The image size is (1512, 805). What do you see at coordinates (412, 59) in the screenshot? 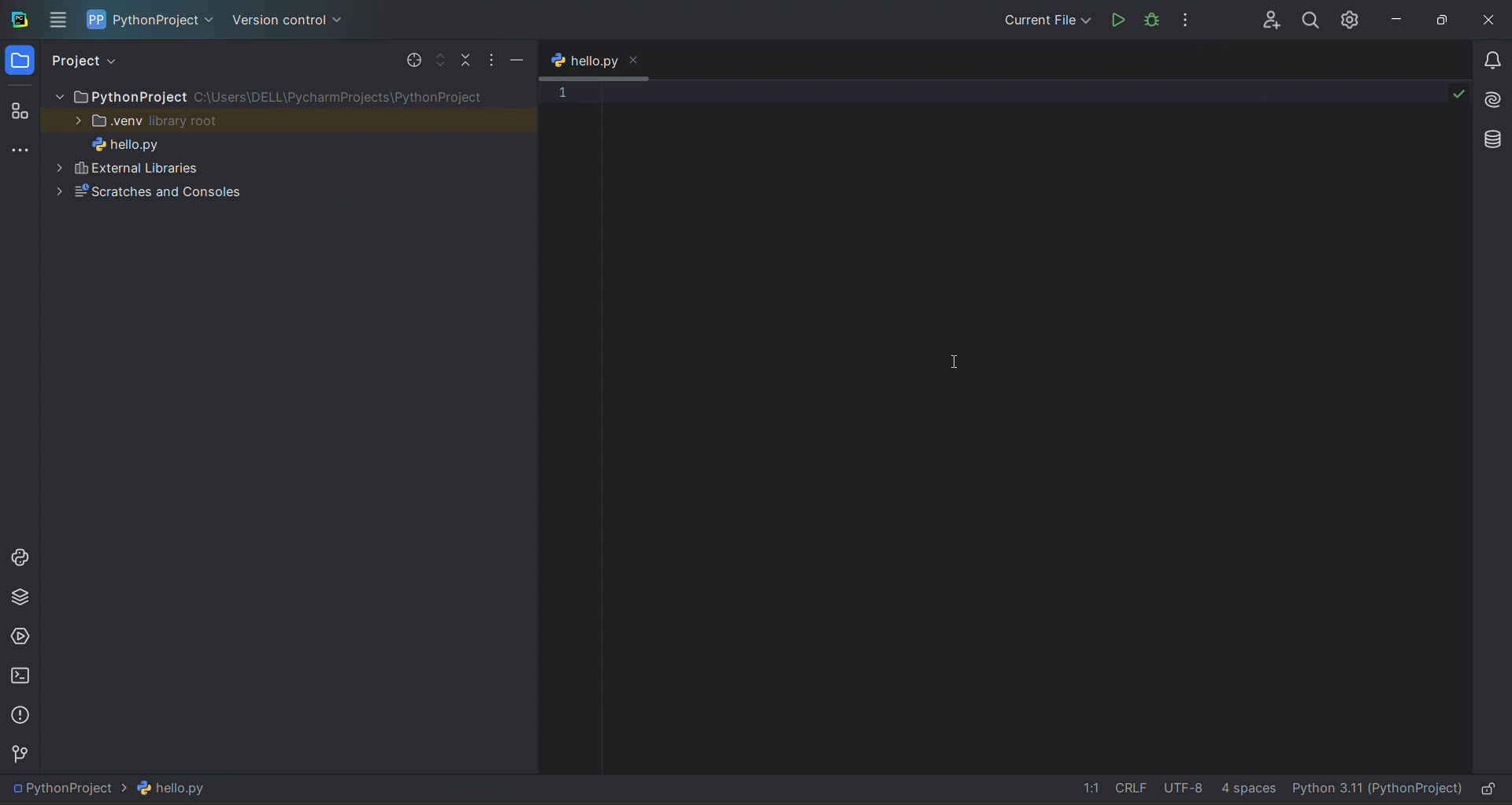
I see `select file` at bounding box center [412, 59].